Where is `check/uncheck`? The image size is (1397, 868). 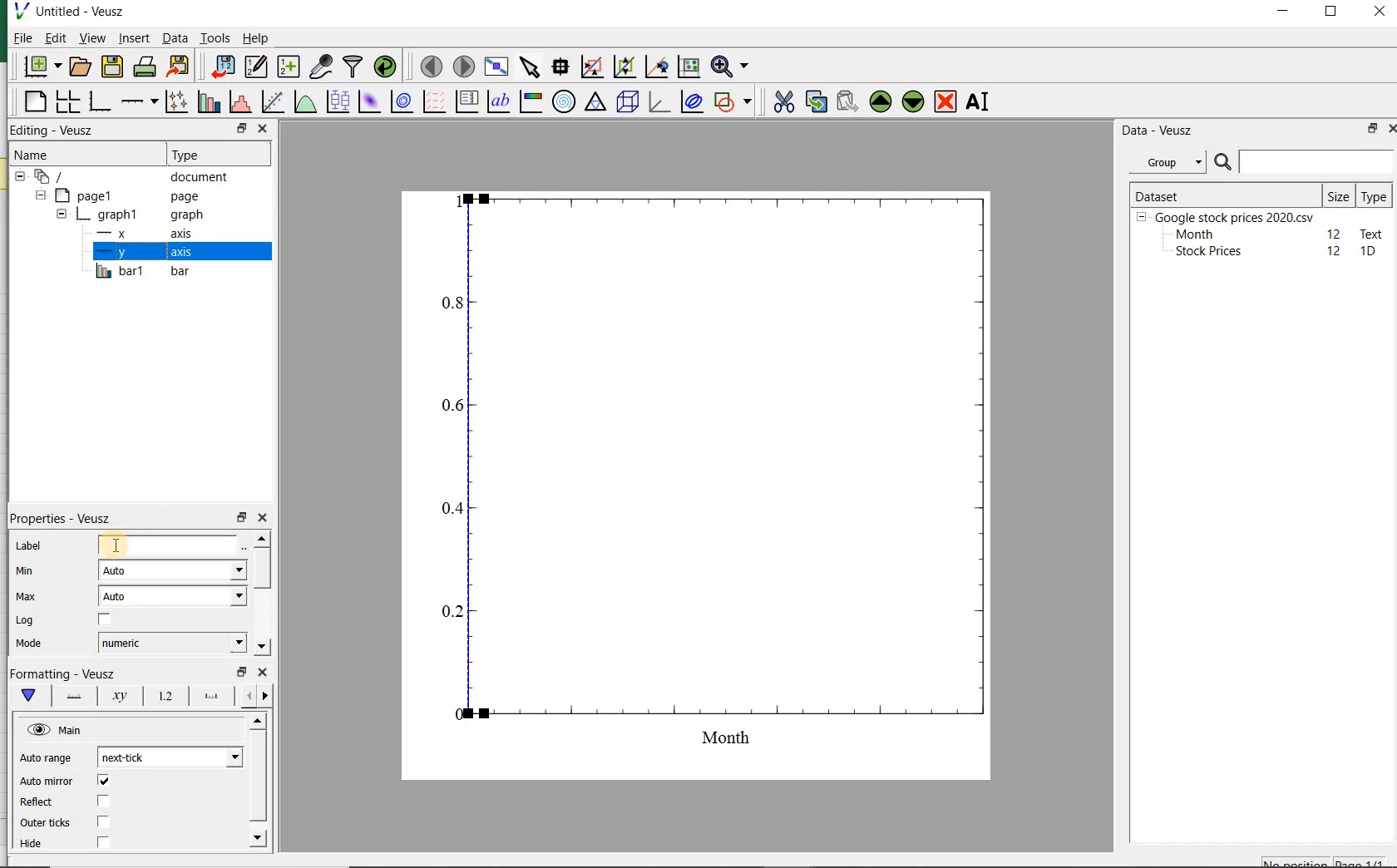 check/uncheck is located at coordinates (103, 782).